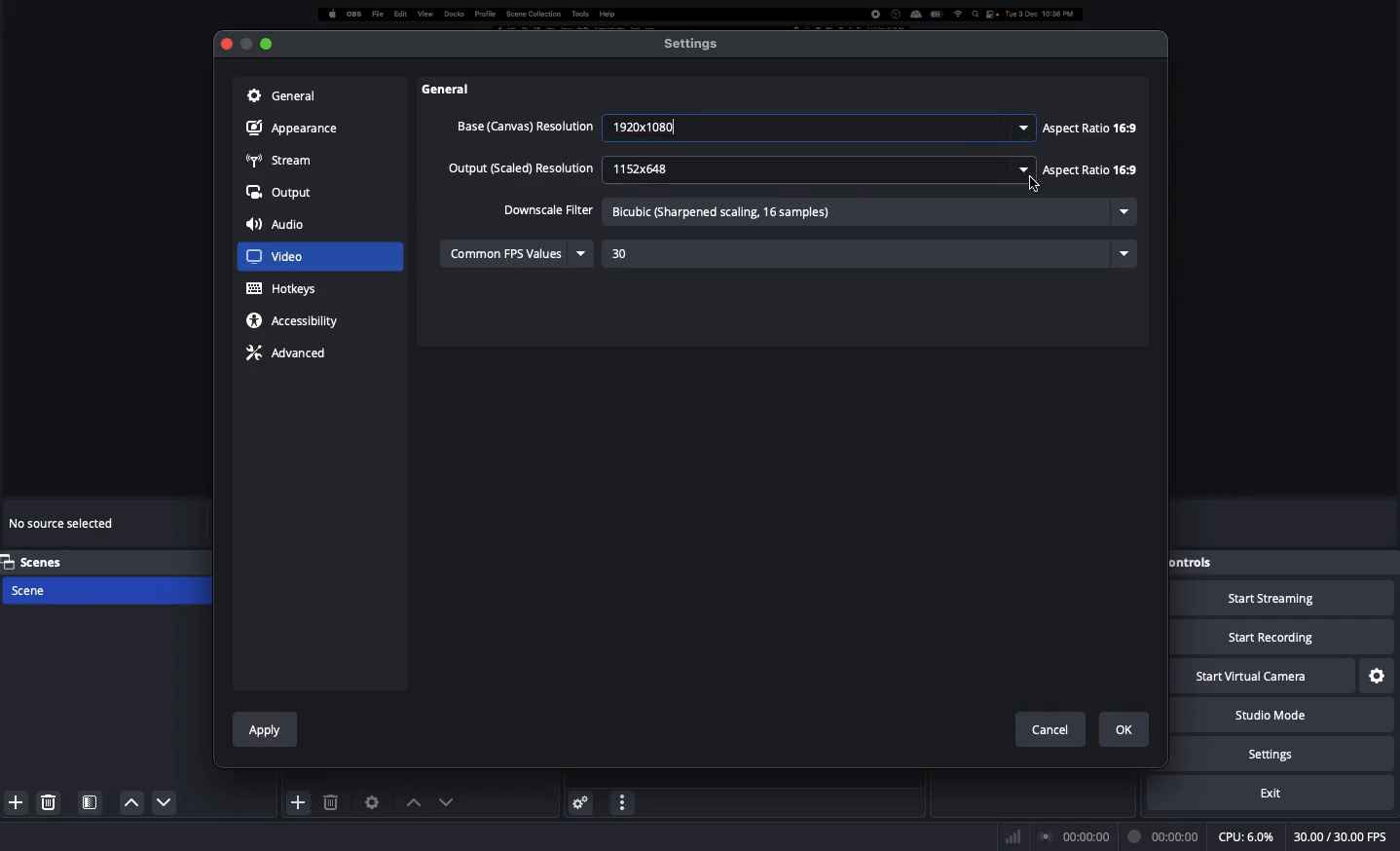 This screenshot has height=851, width=1400. Describe the element at coordinates (299, 801) in the screenshot. I see `Add` at that location.